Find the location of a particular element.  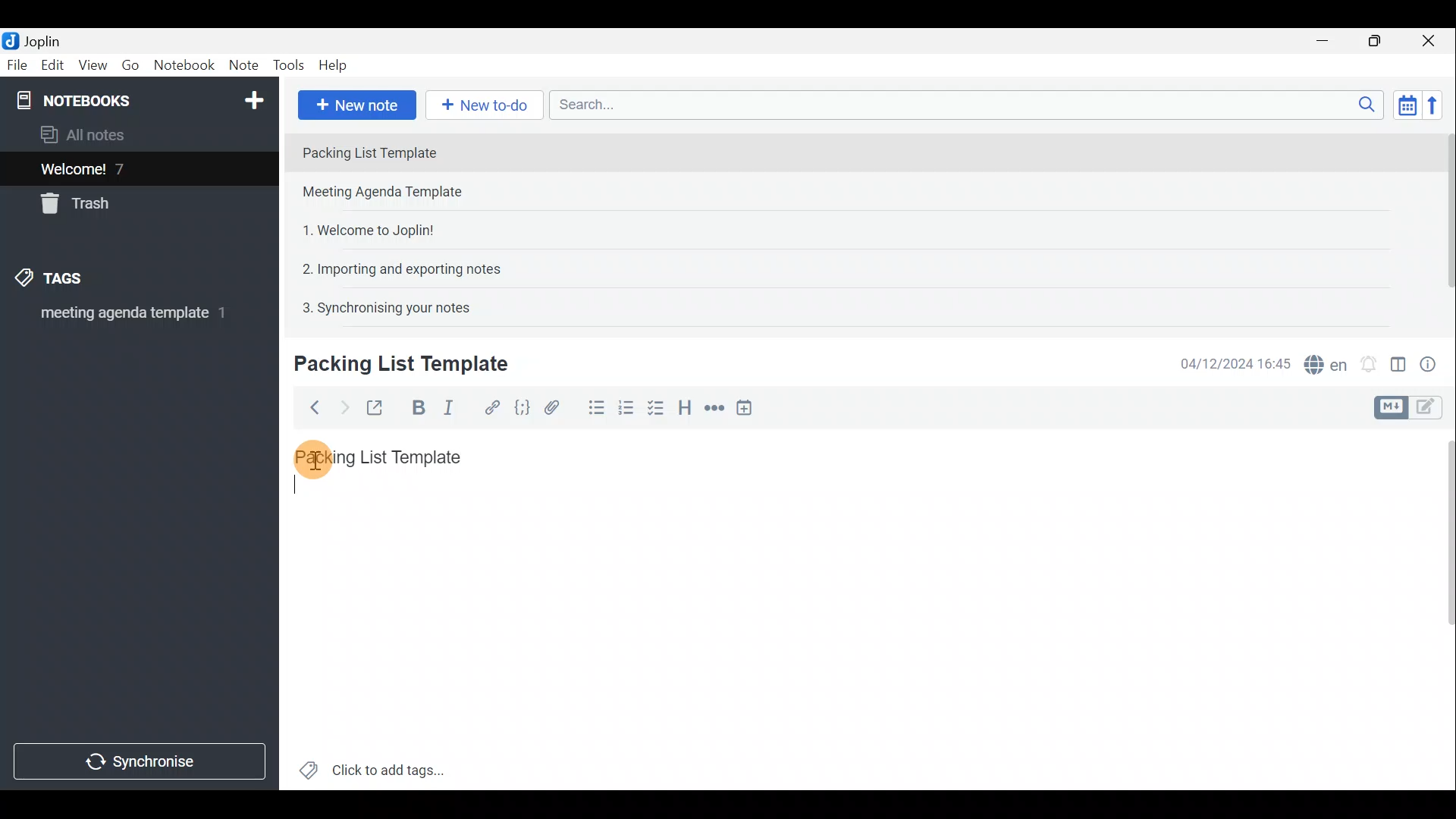

Back is located at coordinates (312, 407).